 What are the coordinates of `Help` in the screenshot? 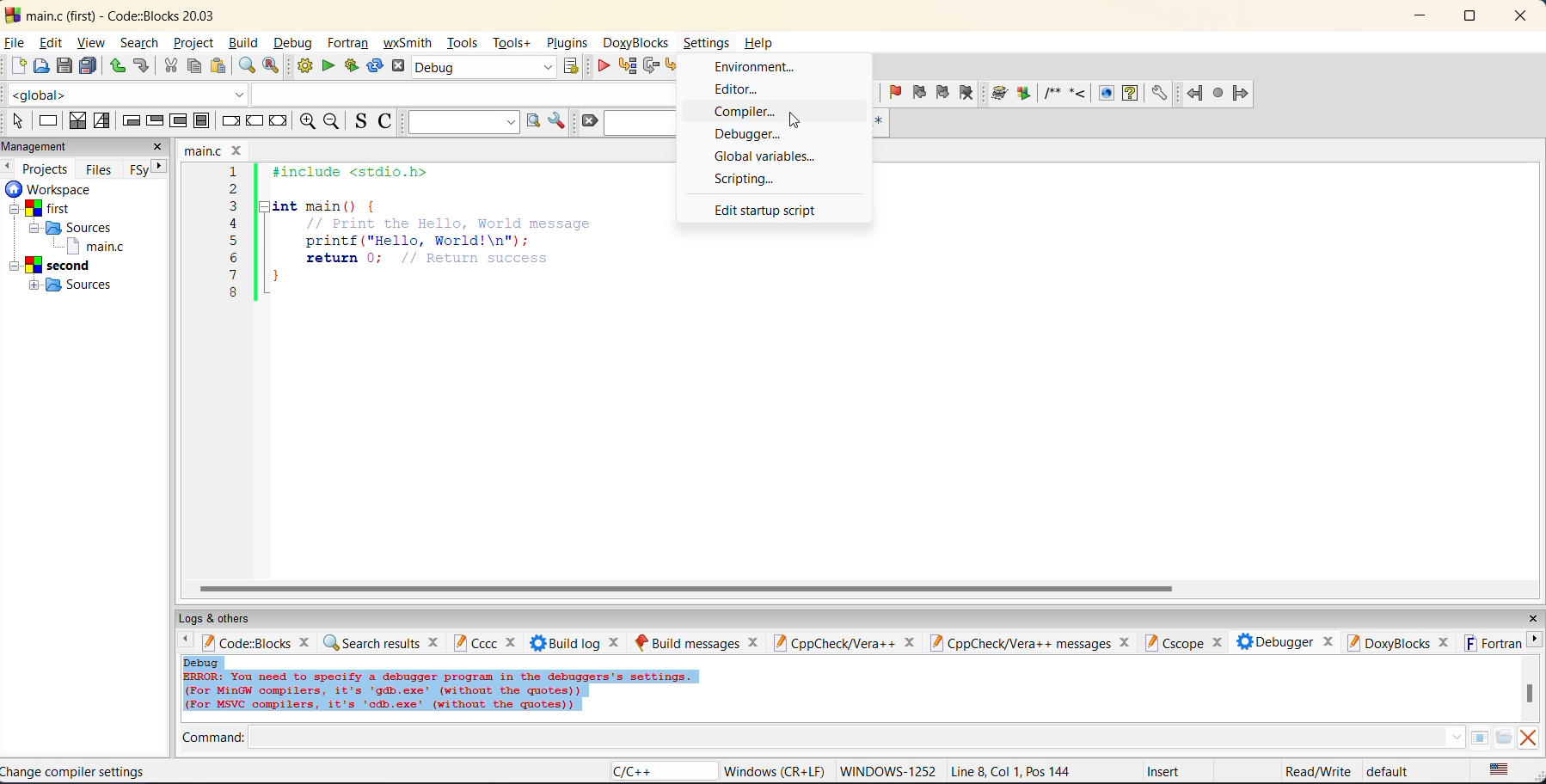 It's located at (760, 43).